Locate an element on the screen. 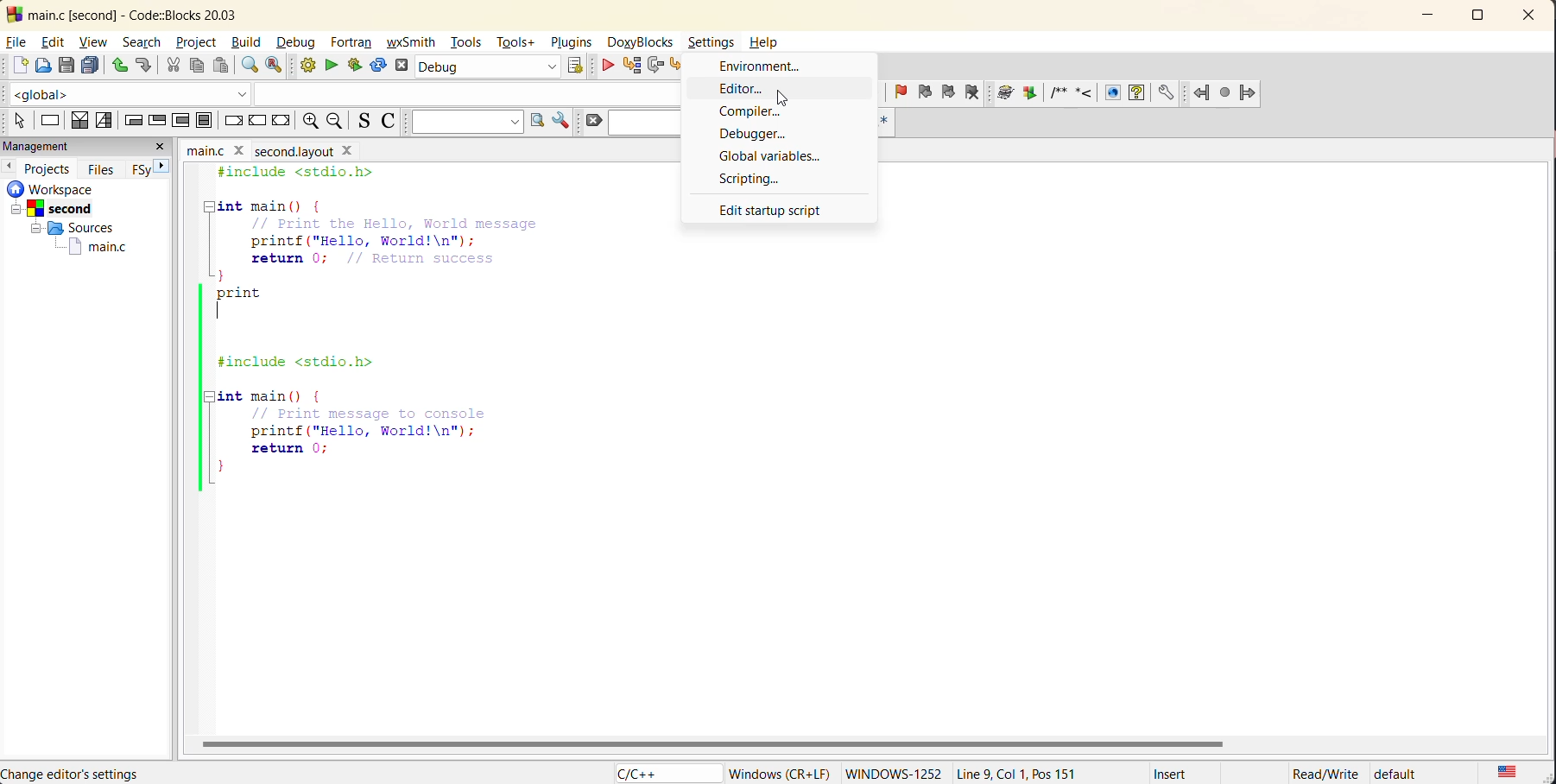 The width and height of the screenshot is (1556, 784). wxsmith is located at coordinates (413, 44).